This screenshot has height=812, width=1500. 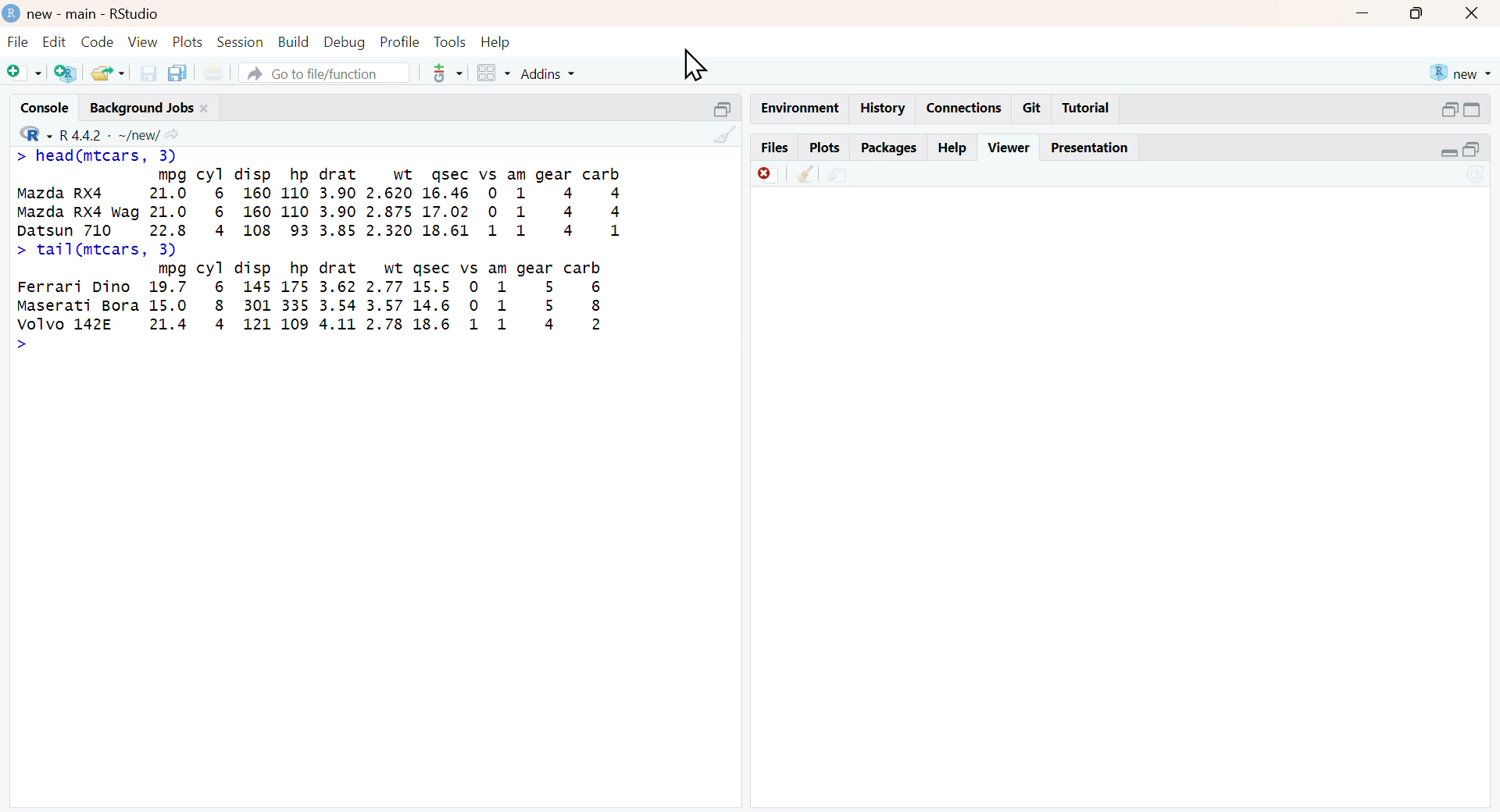 I want to click on Viewer, so click(x=1009, y=145).